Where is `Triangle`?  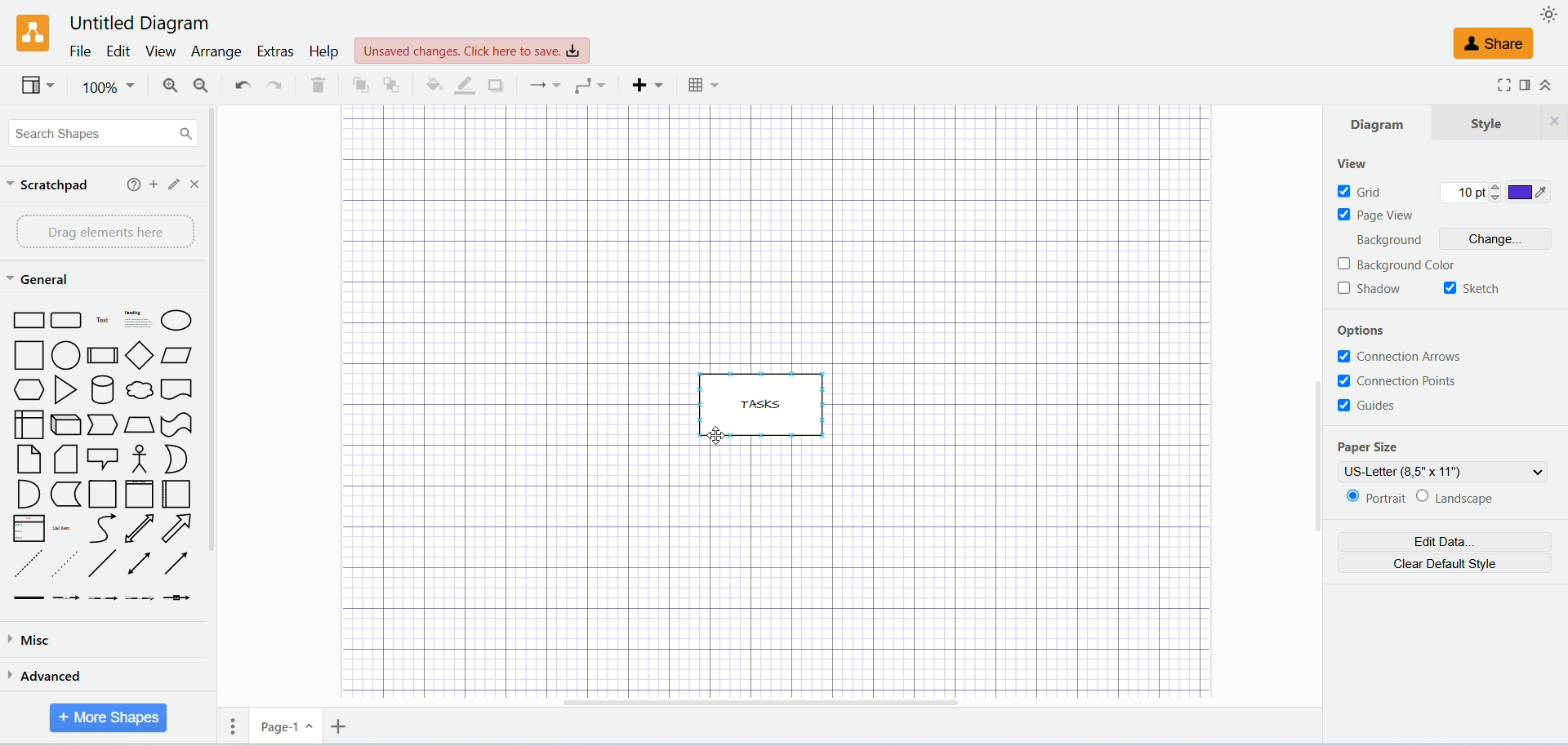
Triangle is located at coordinates (65, 390).